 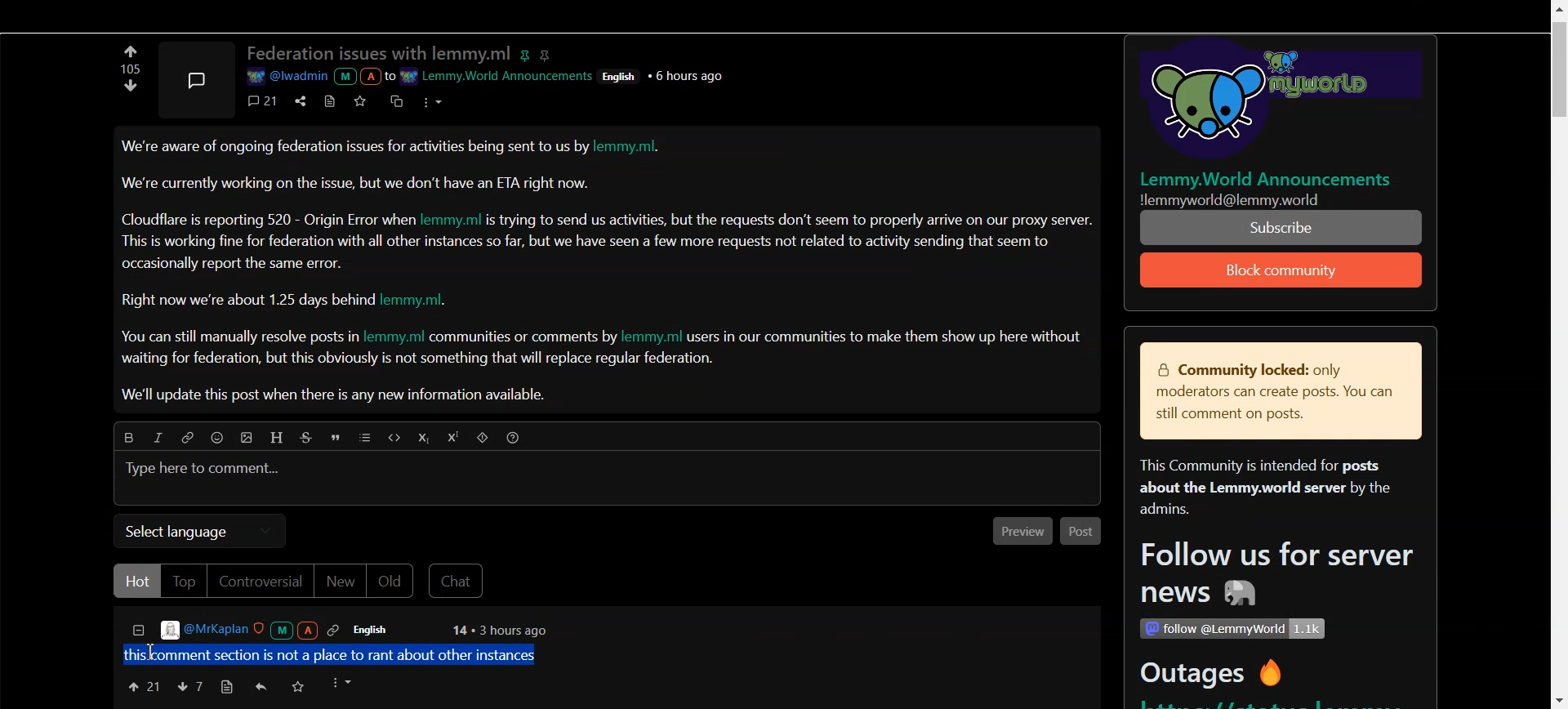 What do you see at coordinates (1271, 102) in the screenshot?
I see `` at bounding box center [1271, 102].